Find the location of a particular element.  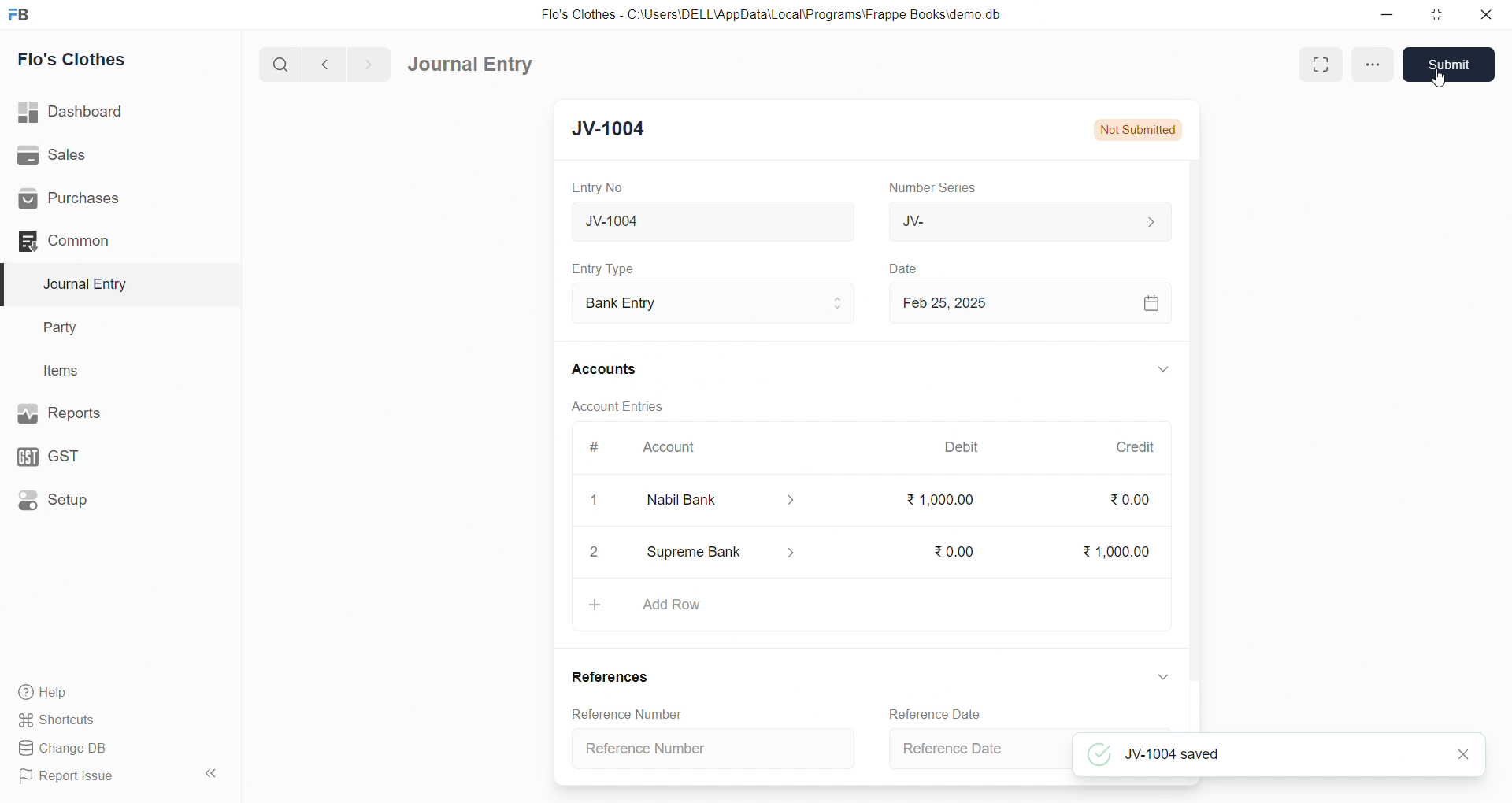

Expand Window is located at coordinates (1315, 65).